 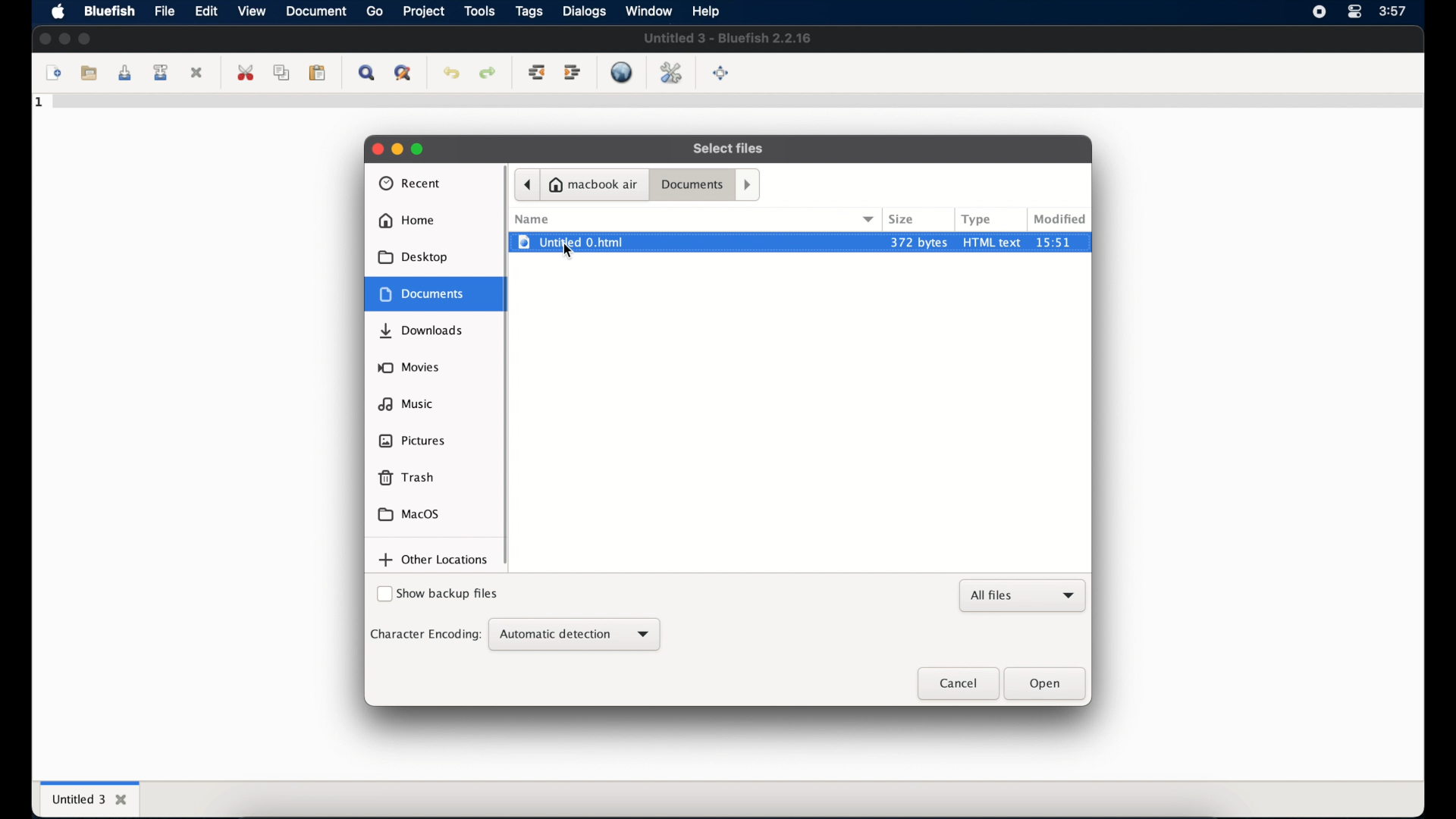 I want to click on redo, so click(x=487, y=74).